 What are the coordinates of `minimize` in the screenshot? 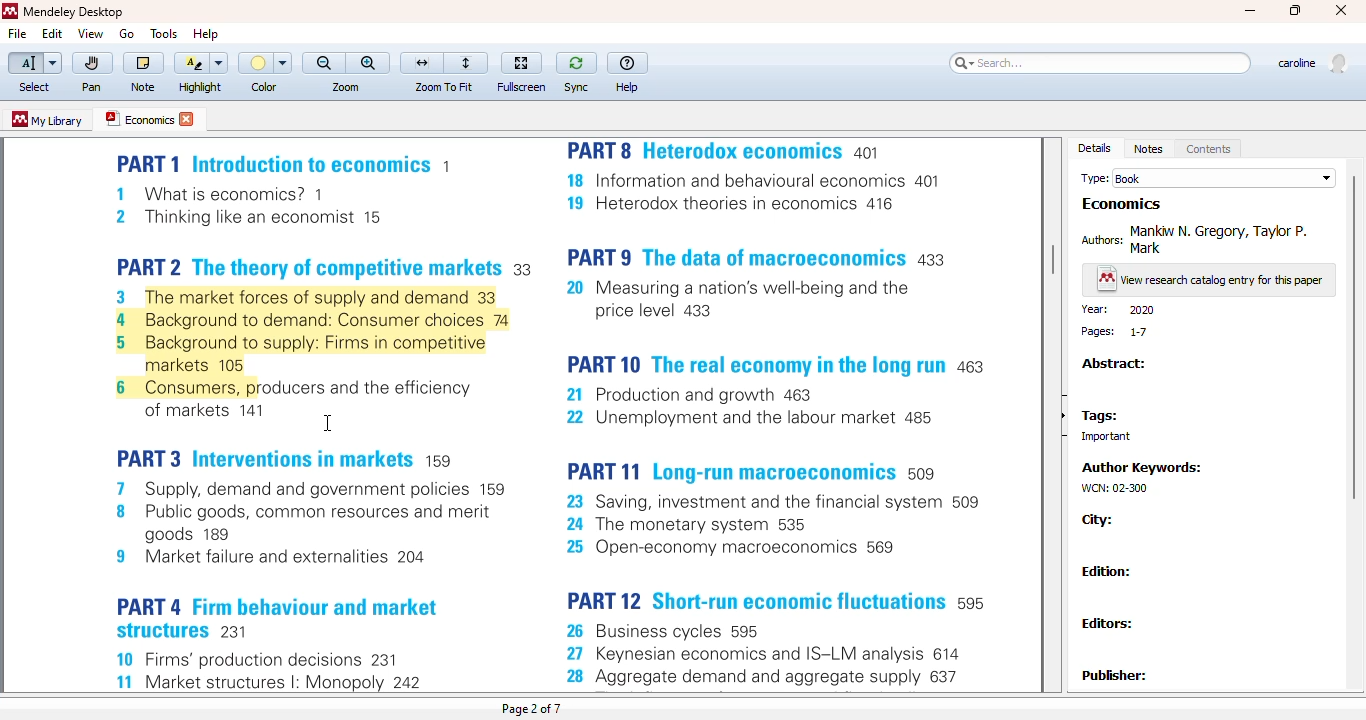 It's located at (1251, 11).